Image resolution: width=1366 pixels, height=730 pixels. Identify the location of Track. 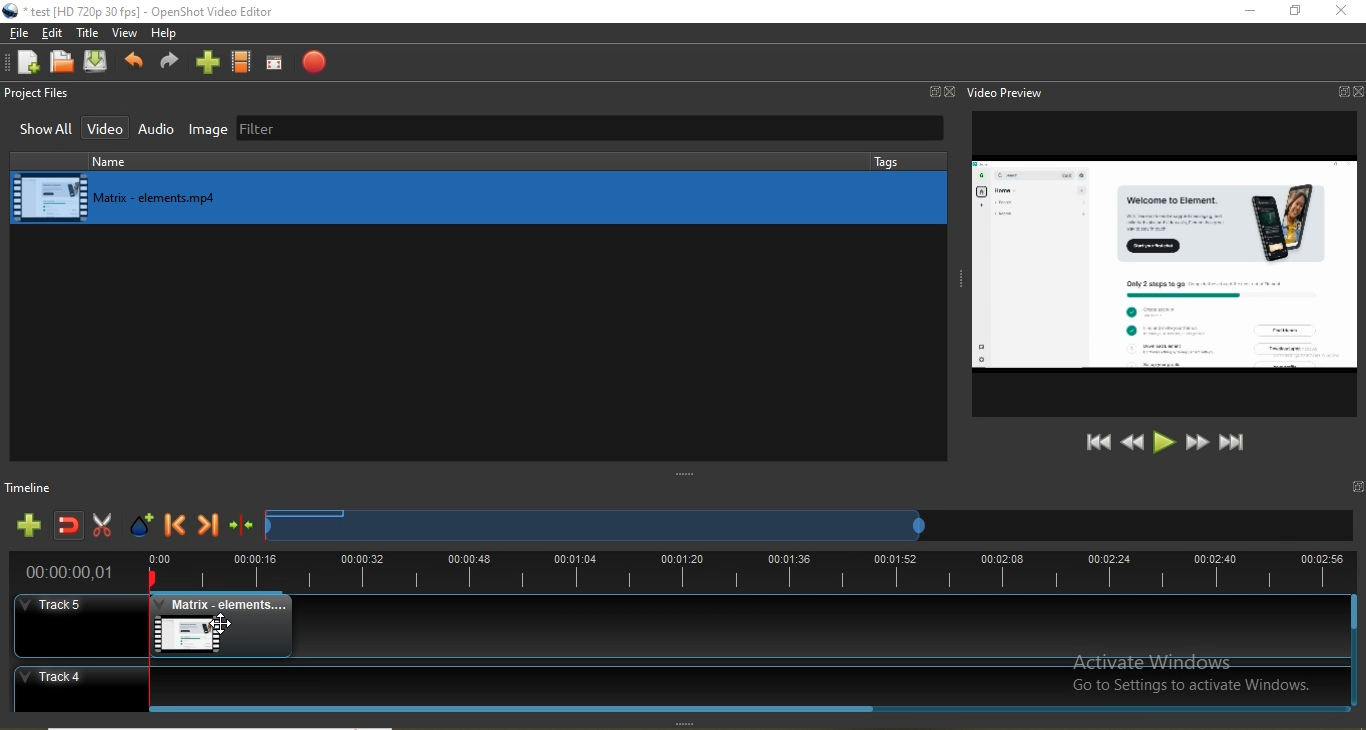
(671, 683).